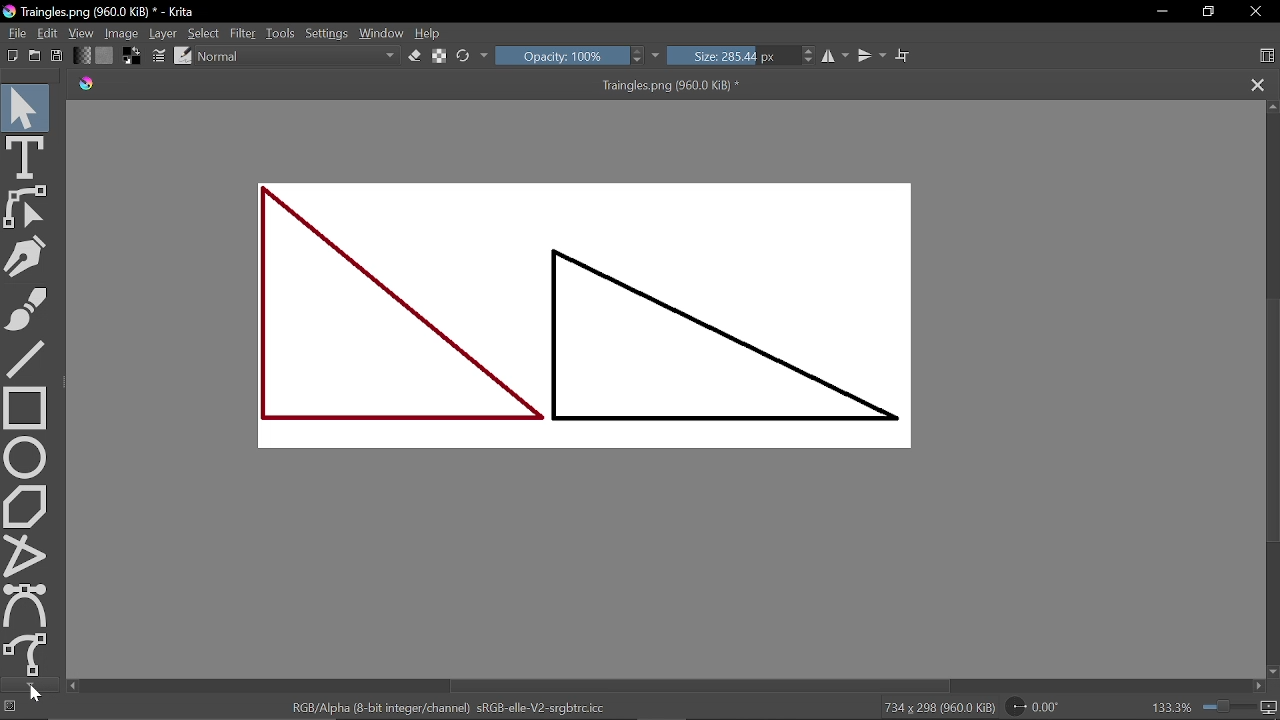 The height and width of the screenshot is (720, 1280). Describe the element at coordinates (105, 56) in the screenshot. I see `Fill patern` at that location.